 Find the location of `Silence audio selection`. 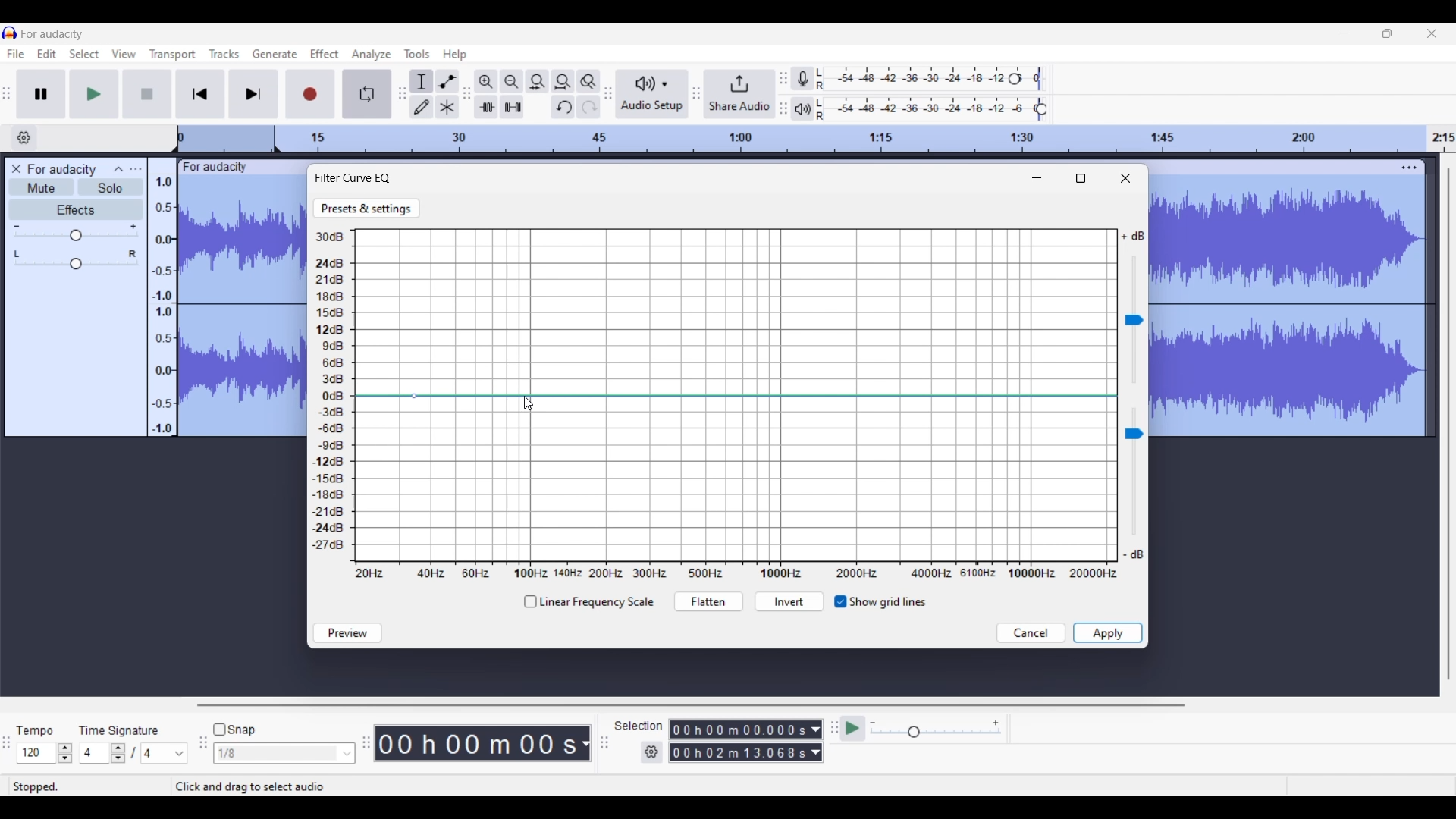

Silence audio selection is located at coordinates (512, 107).